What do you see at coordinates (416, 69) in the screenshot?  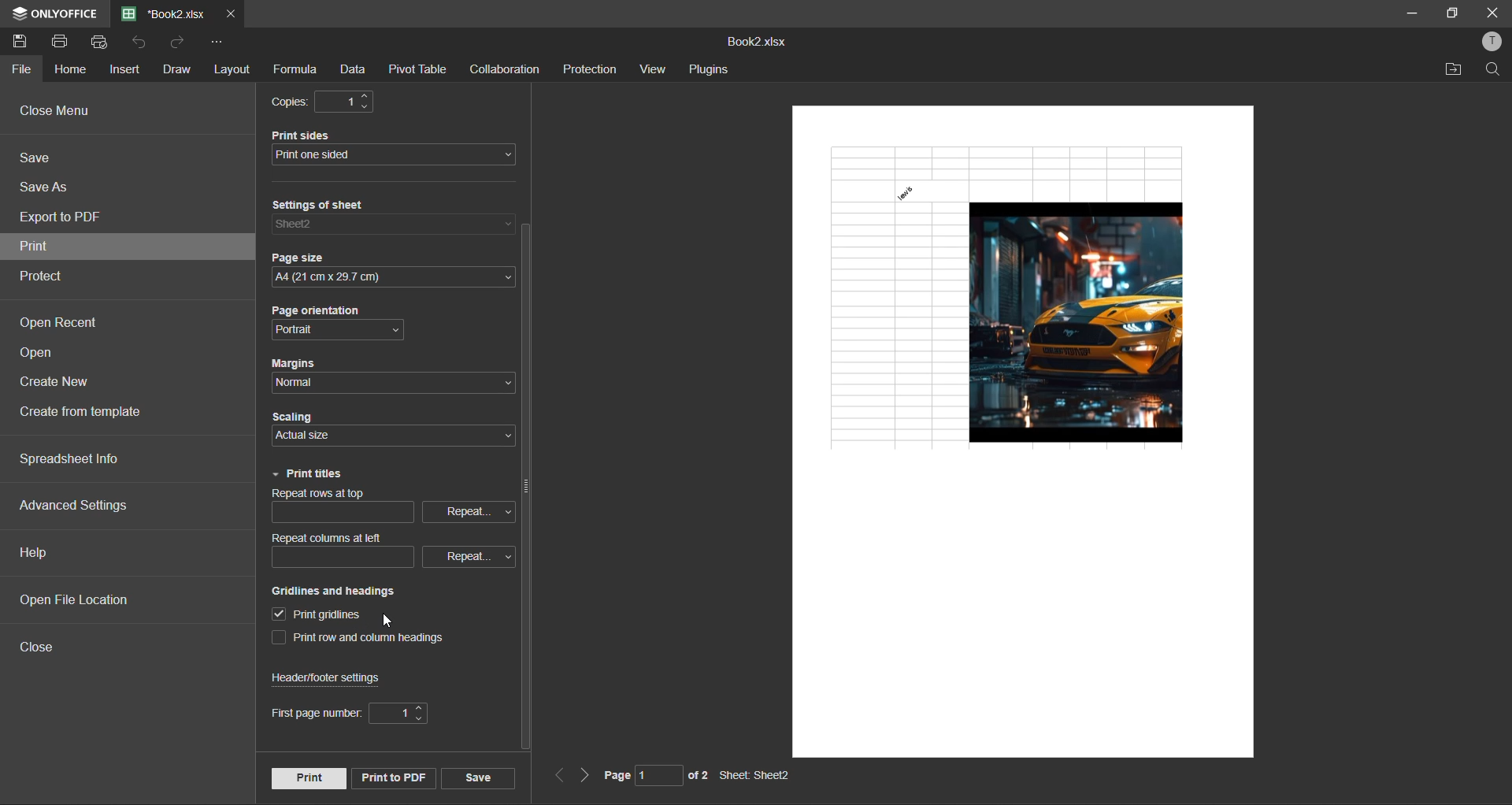 I see `pivot table` at bounding box center [416, 69].